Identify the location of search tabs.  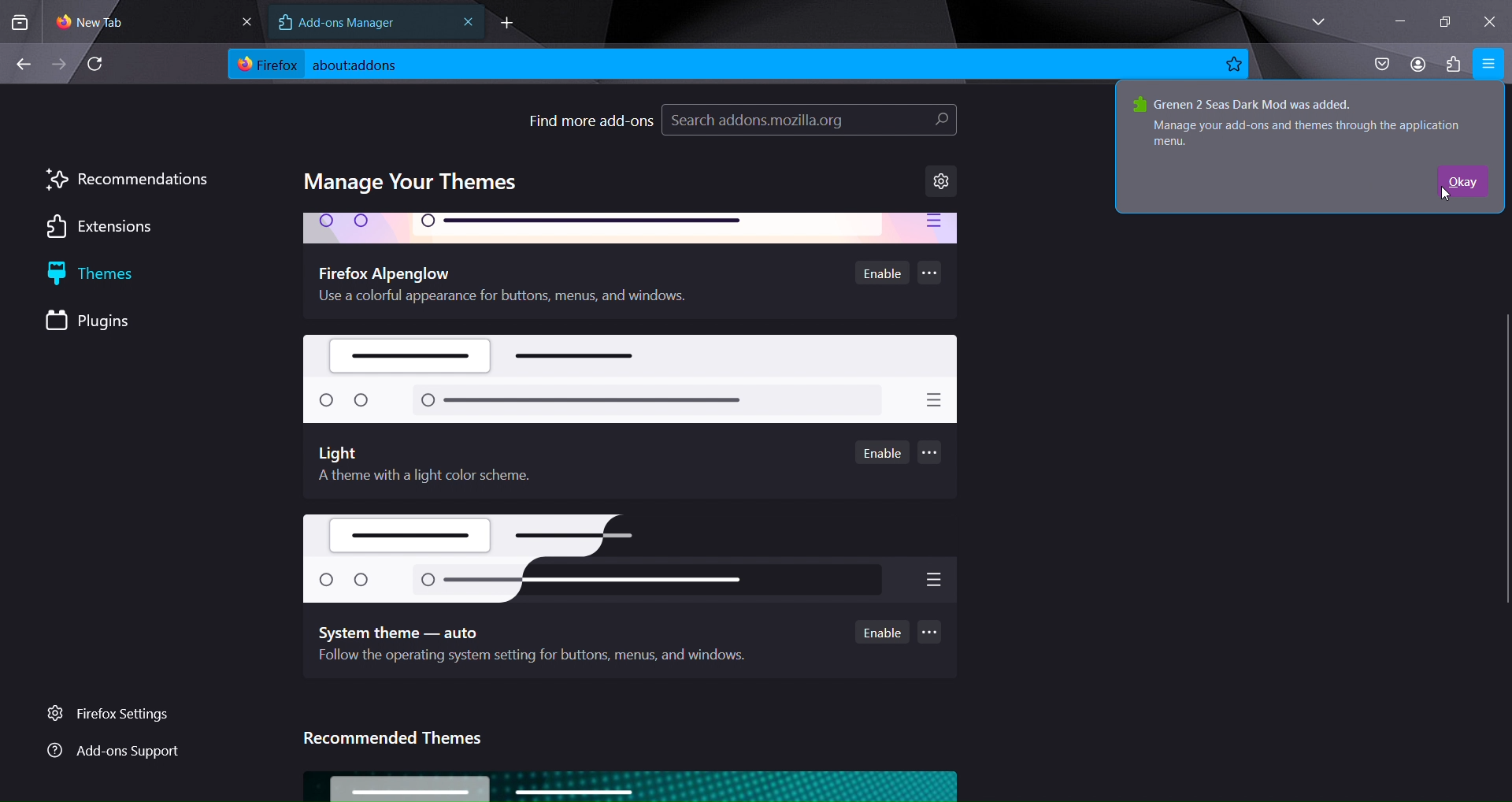
(20, 22).